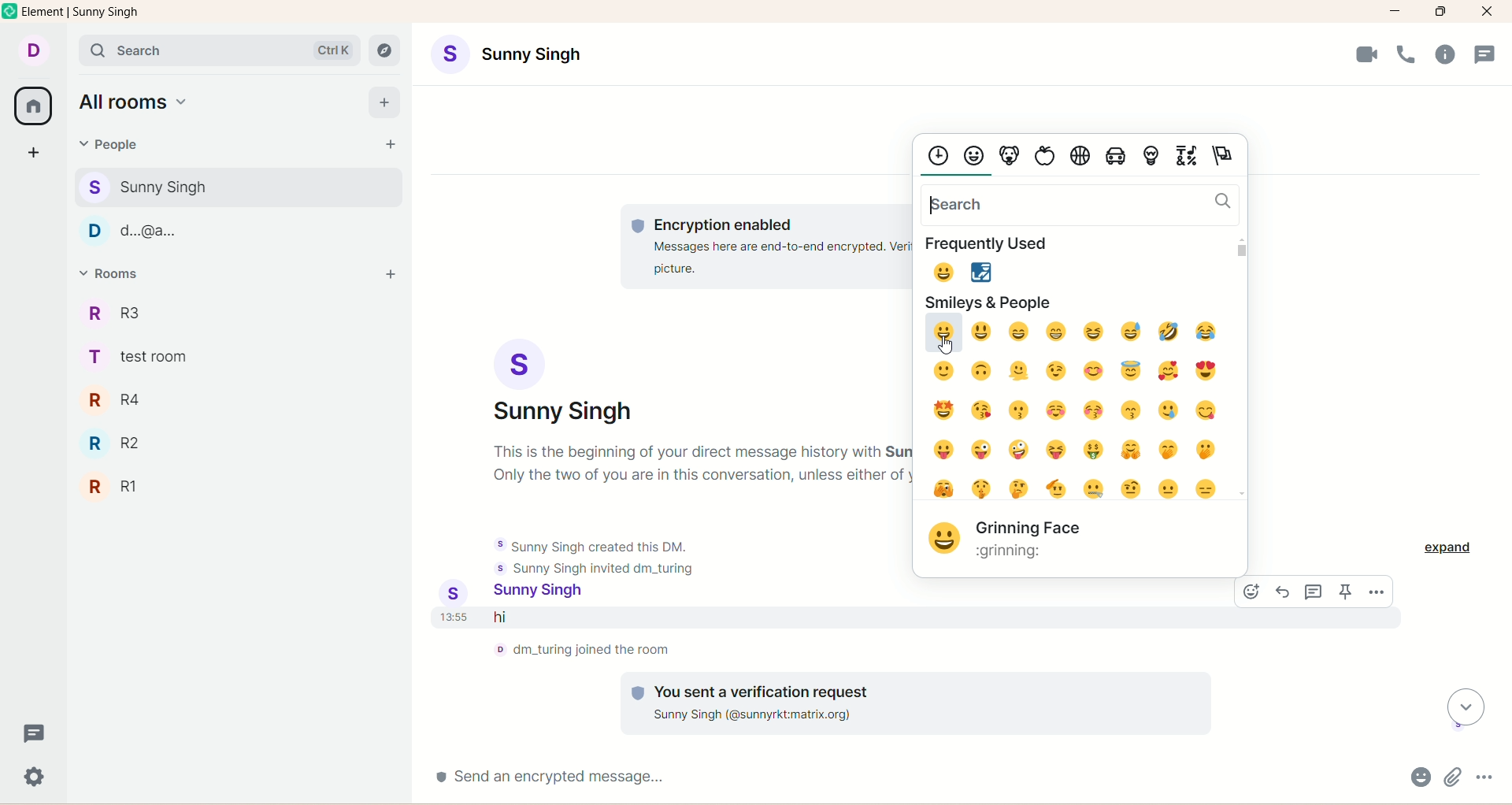  I want to click on search, so click(219, 50).